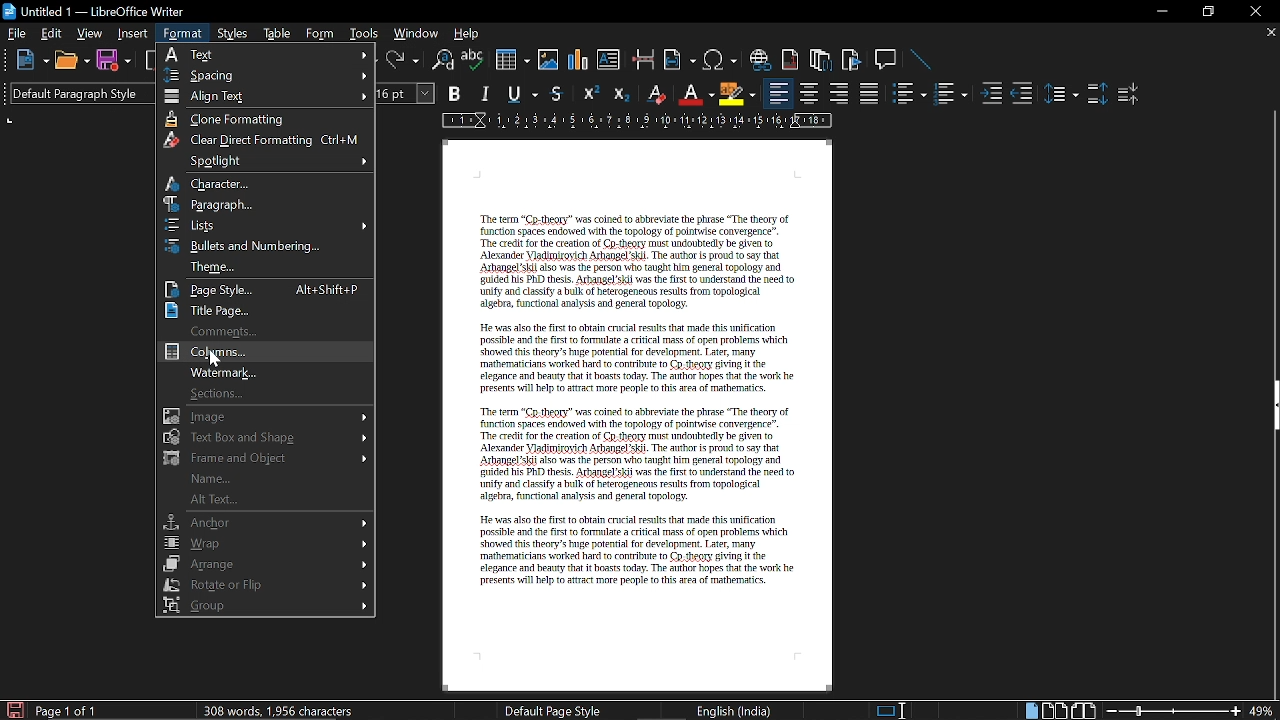 Image resolution: width=1280 pixels, height=720 pixels. I want to click on Anchor, so click(264, 521).